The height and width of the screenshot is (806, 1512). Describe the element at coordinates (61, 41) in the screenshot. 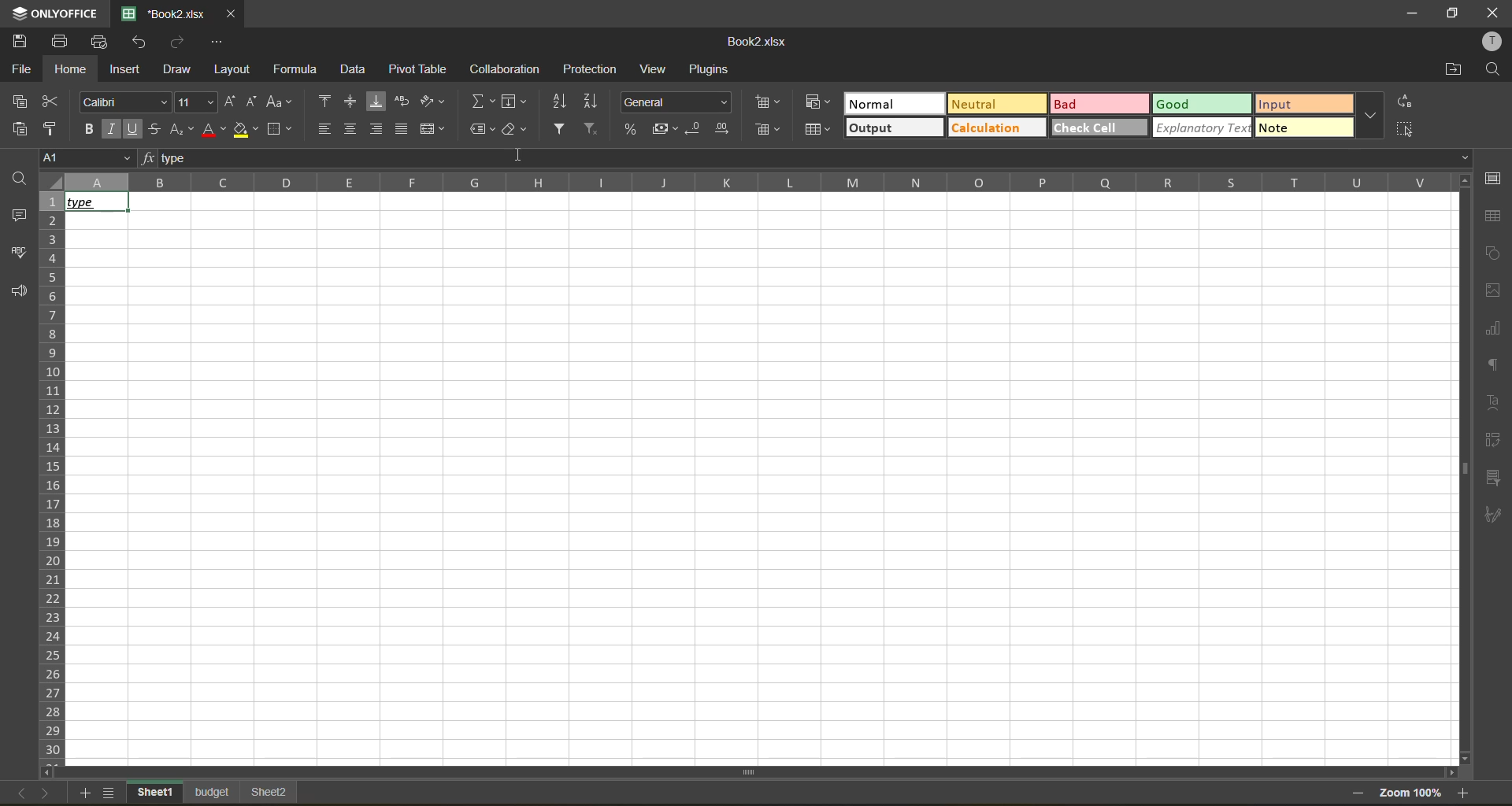

I see `print` at that location.